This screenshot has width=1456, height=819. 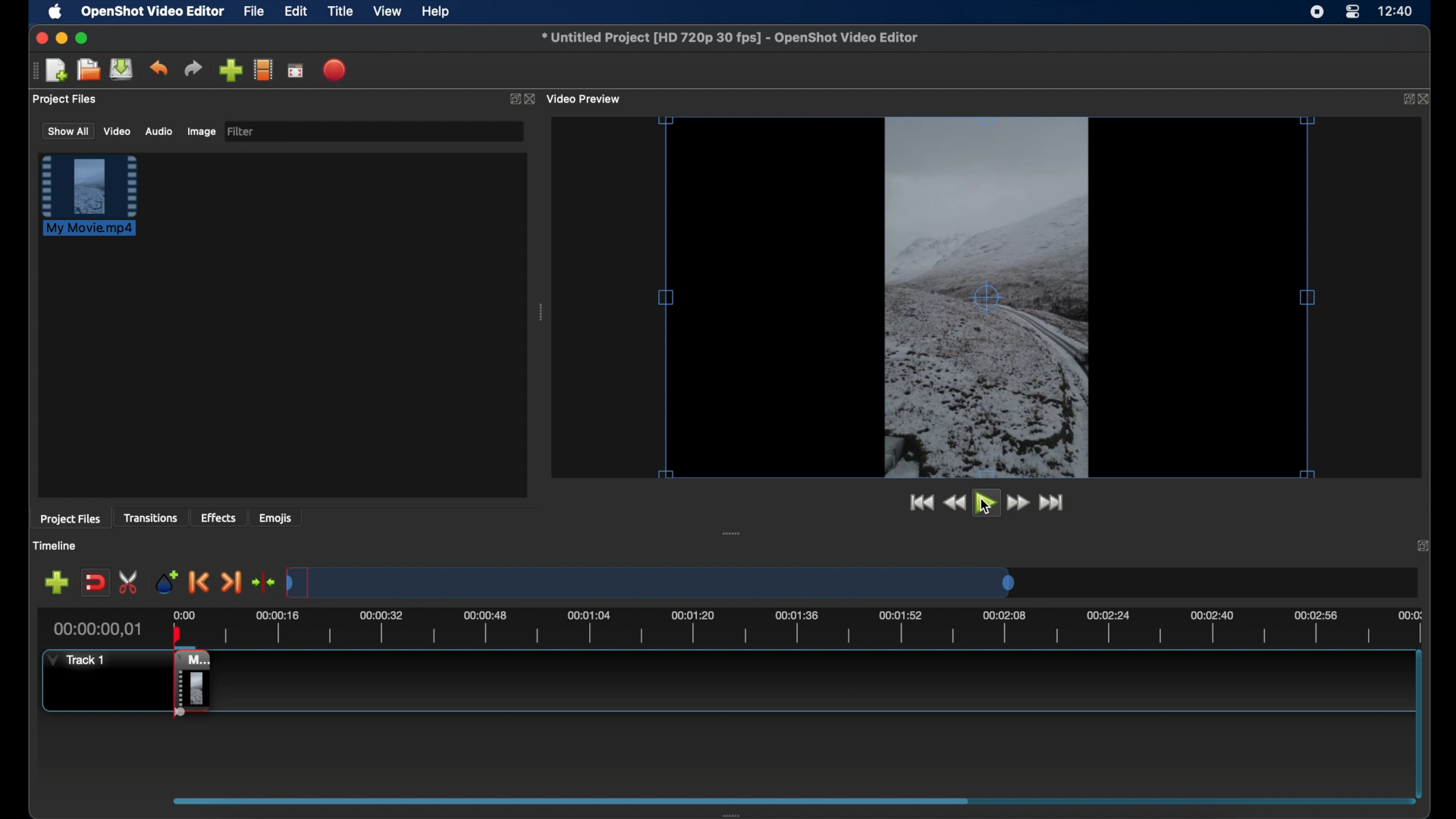 What do you see at coordinates (121, 69) in the screenshot?
I see `save project` at bounding box center [121, 69].